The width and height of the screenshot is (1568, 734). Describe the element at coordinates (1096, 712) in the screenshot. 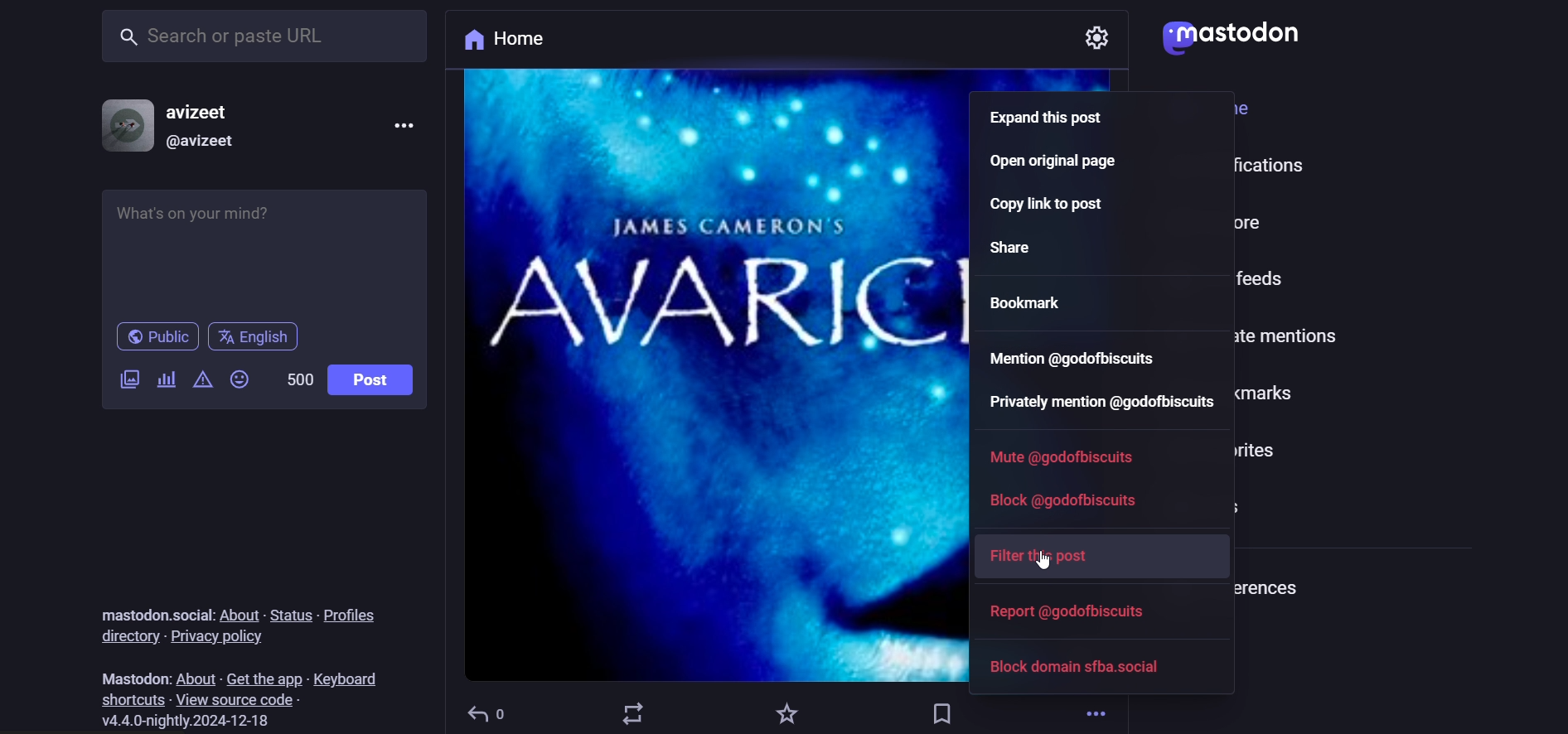

I see `more` at that location.